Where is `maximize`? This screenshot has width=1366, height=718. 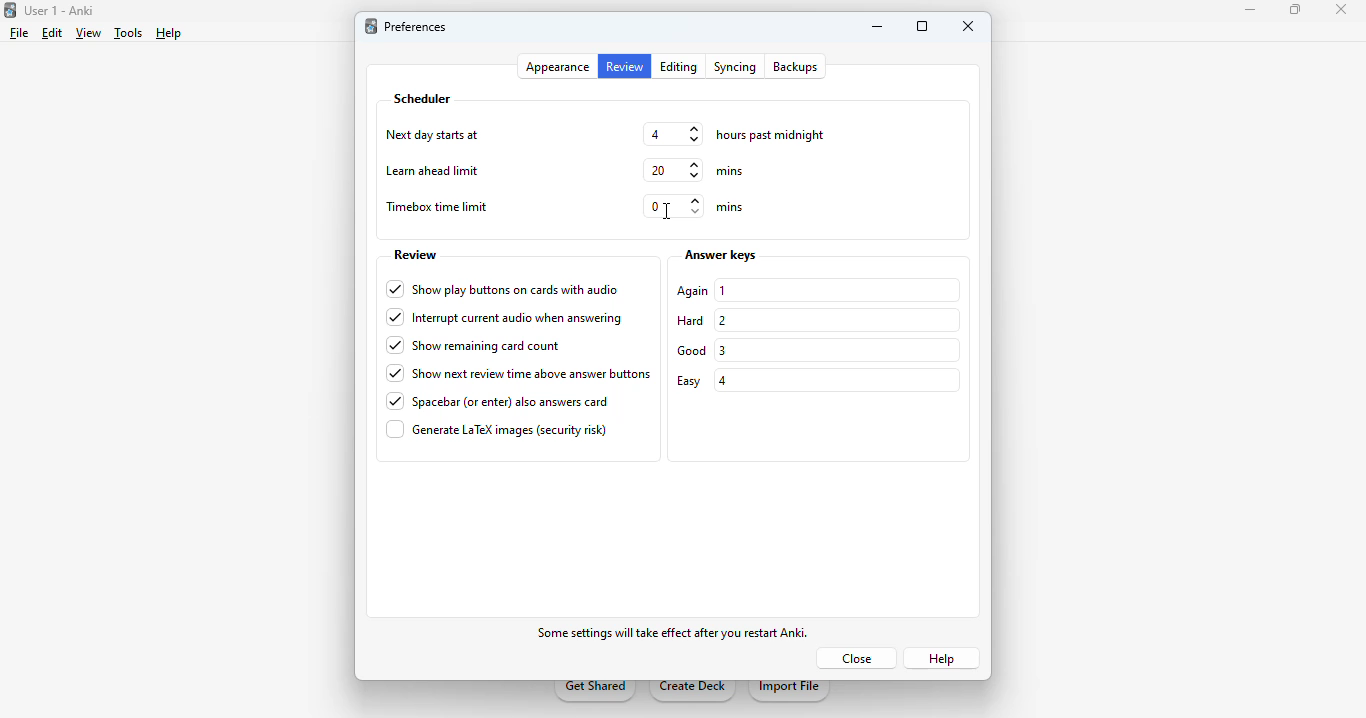 maximize is located at coordinates (923, 26).